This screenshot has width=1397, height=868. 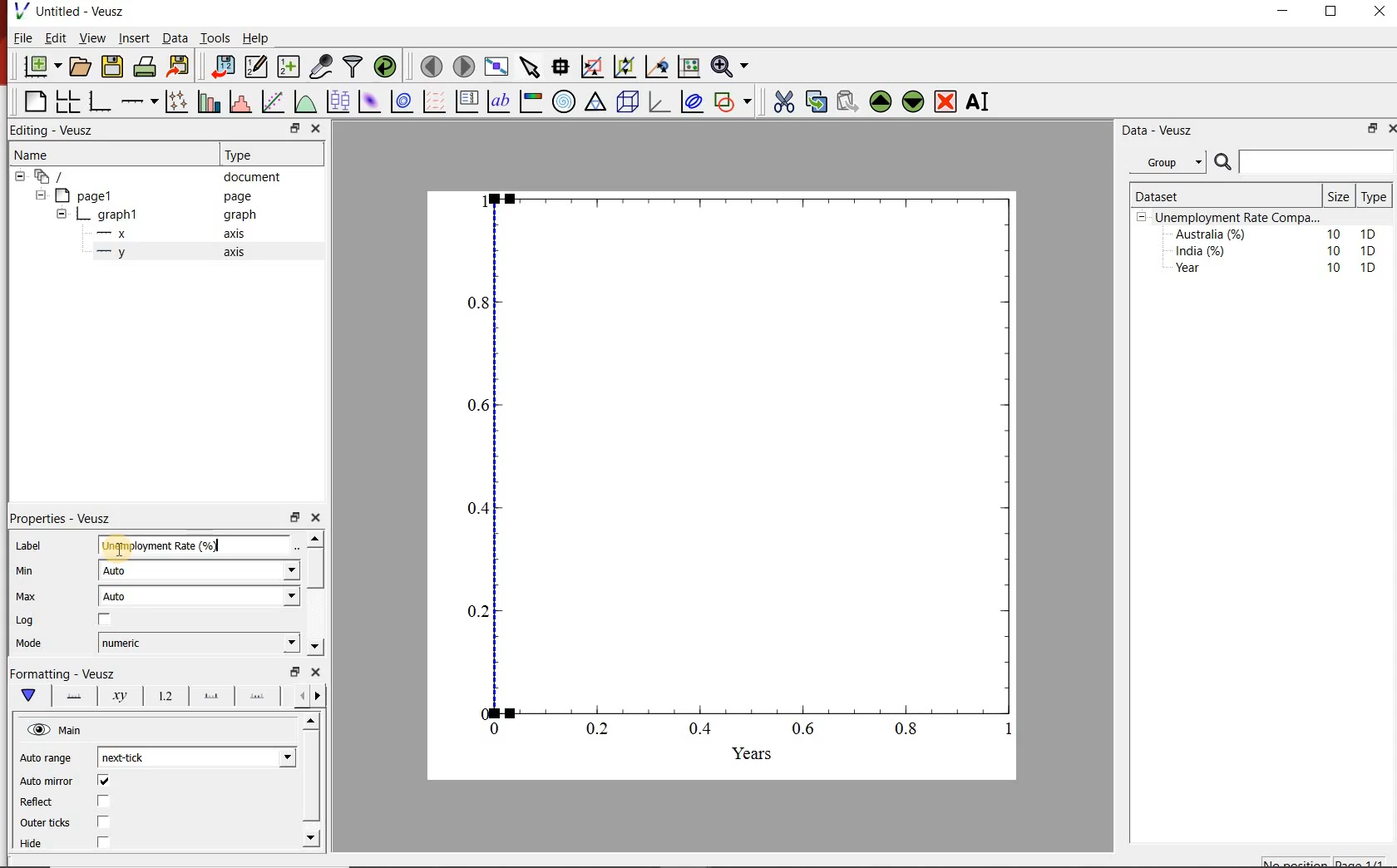 I want to click on Outer ticks, so click(x=46, y=823).